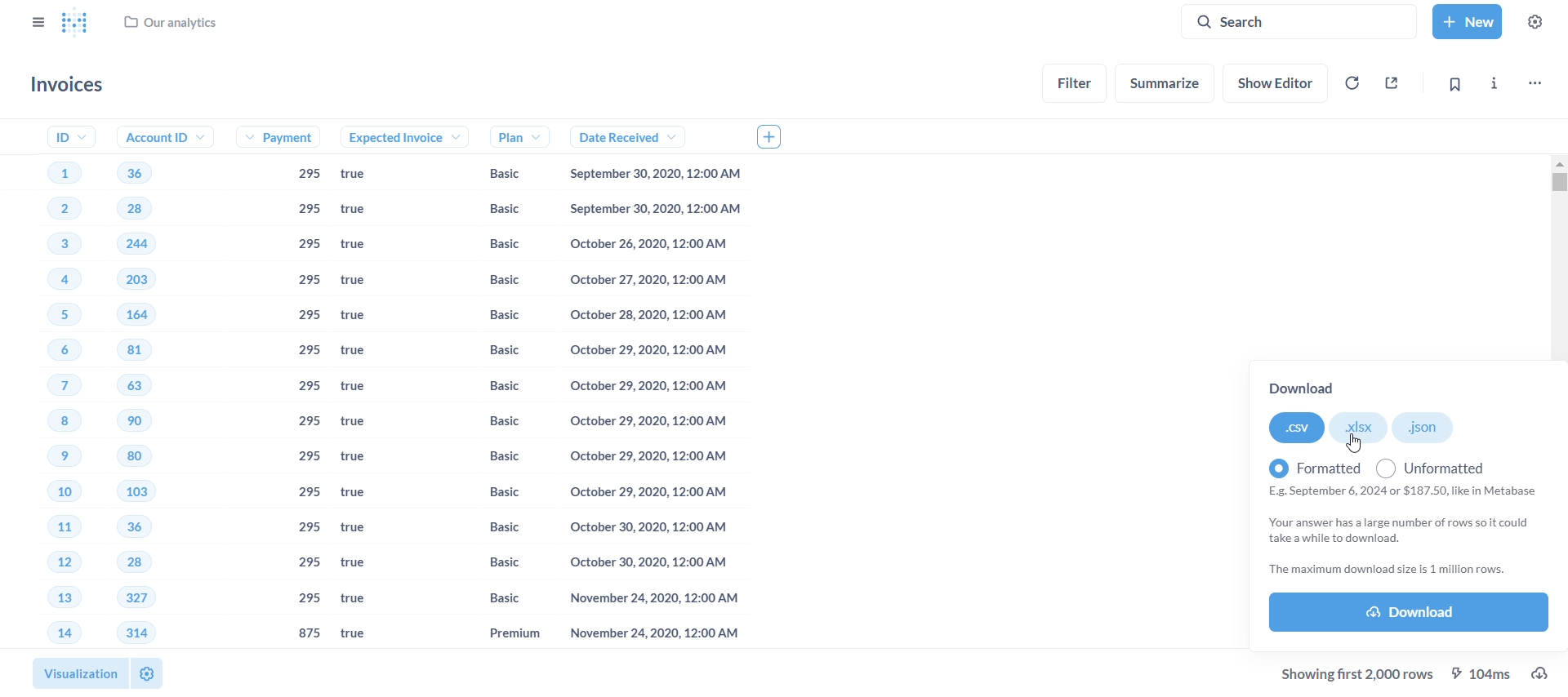 The image size is (1568, 697). Describe the element at coordinates (362, 600) in the screenshot. I see `true` at that location.